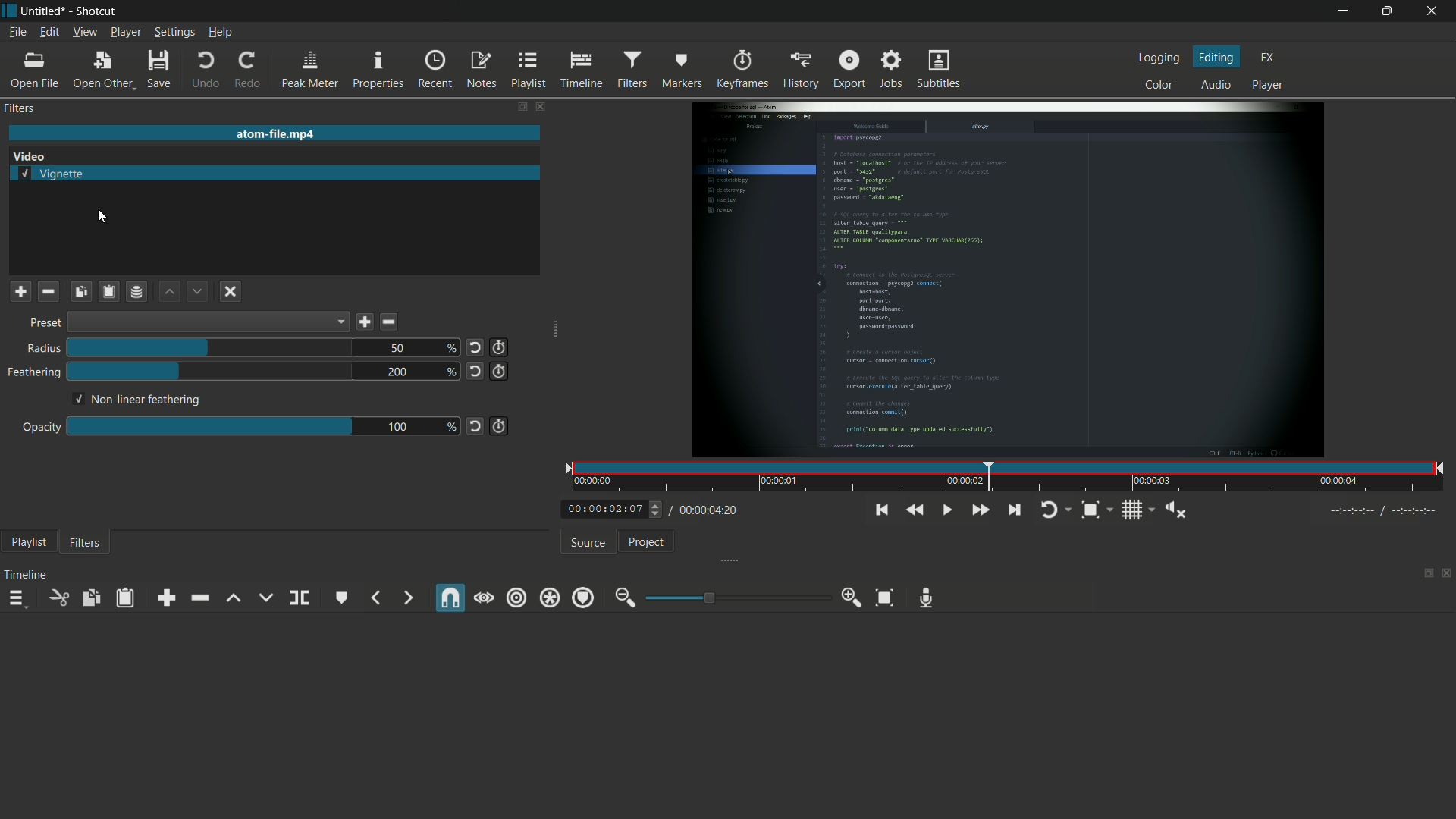 Image resolution: width=1456 pixels, height=819 pixels. Describe the element at coordinates (27, 574) in the screenshot. I see `Timeline` at that location.